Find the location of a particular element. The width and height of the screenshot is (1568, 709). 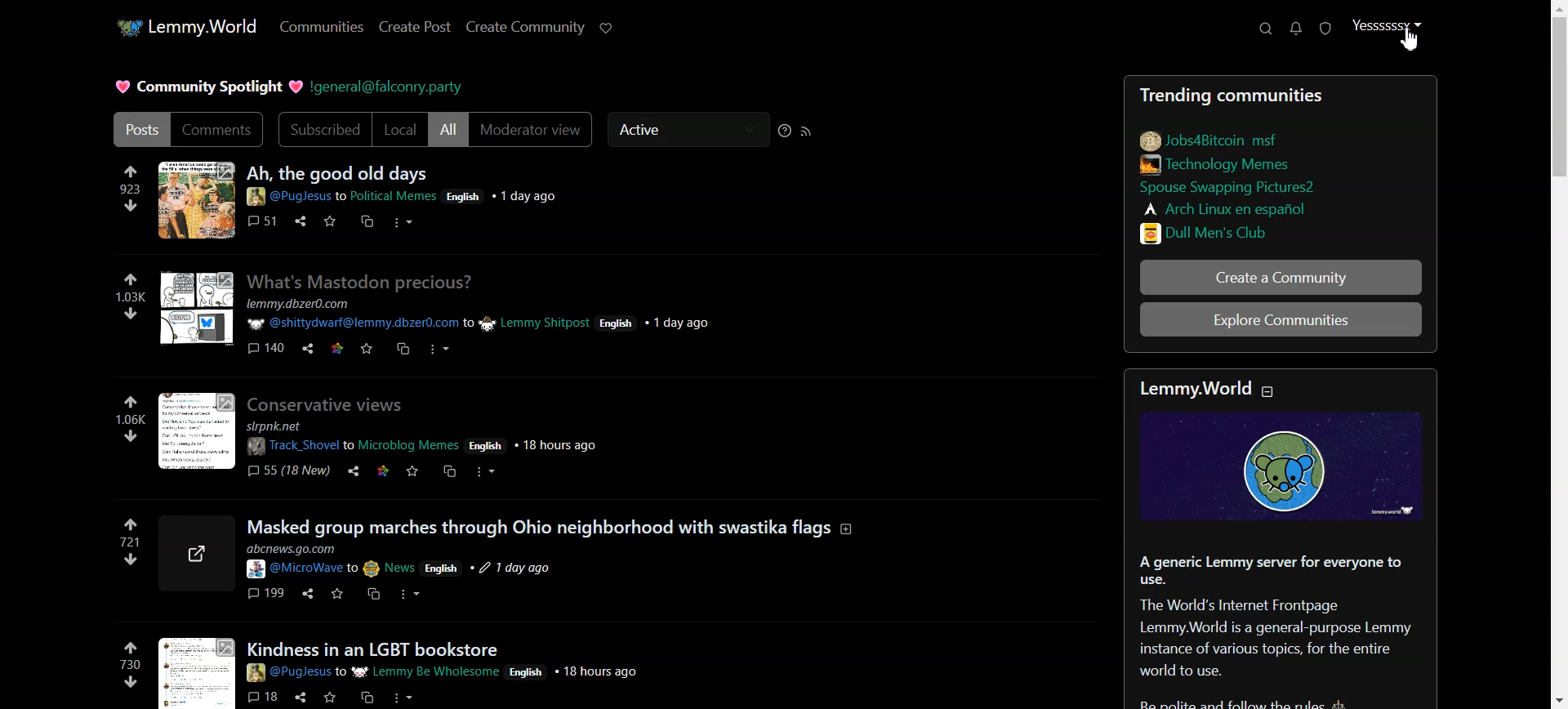

save is located at coordinates (413, 470).